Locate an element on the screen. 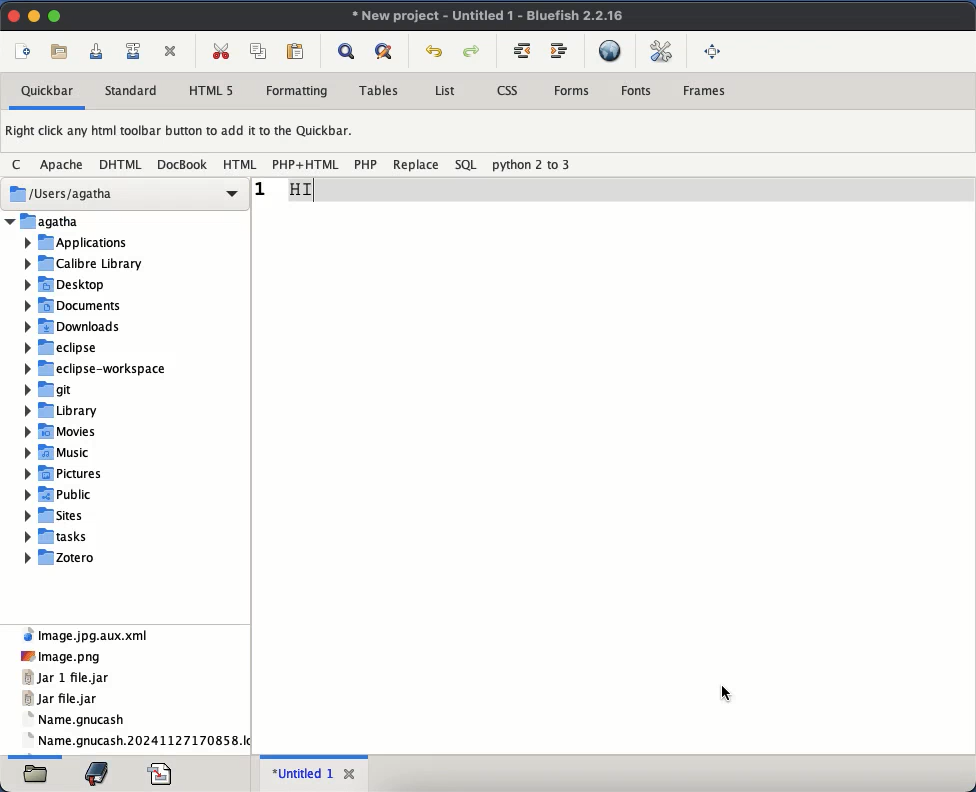 The width and height of the screenshot is (976, 792). git is located at coordinates (49, 389).